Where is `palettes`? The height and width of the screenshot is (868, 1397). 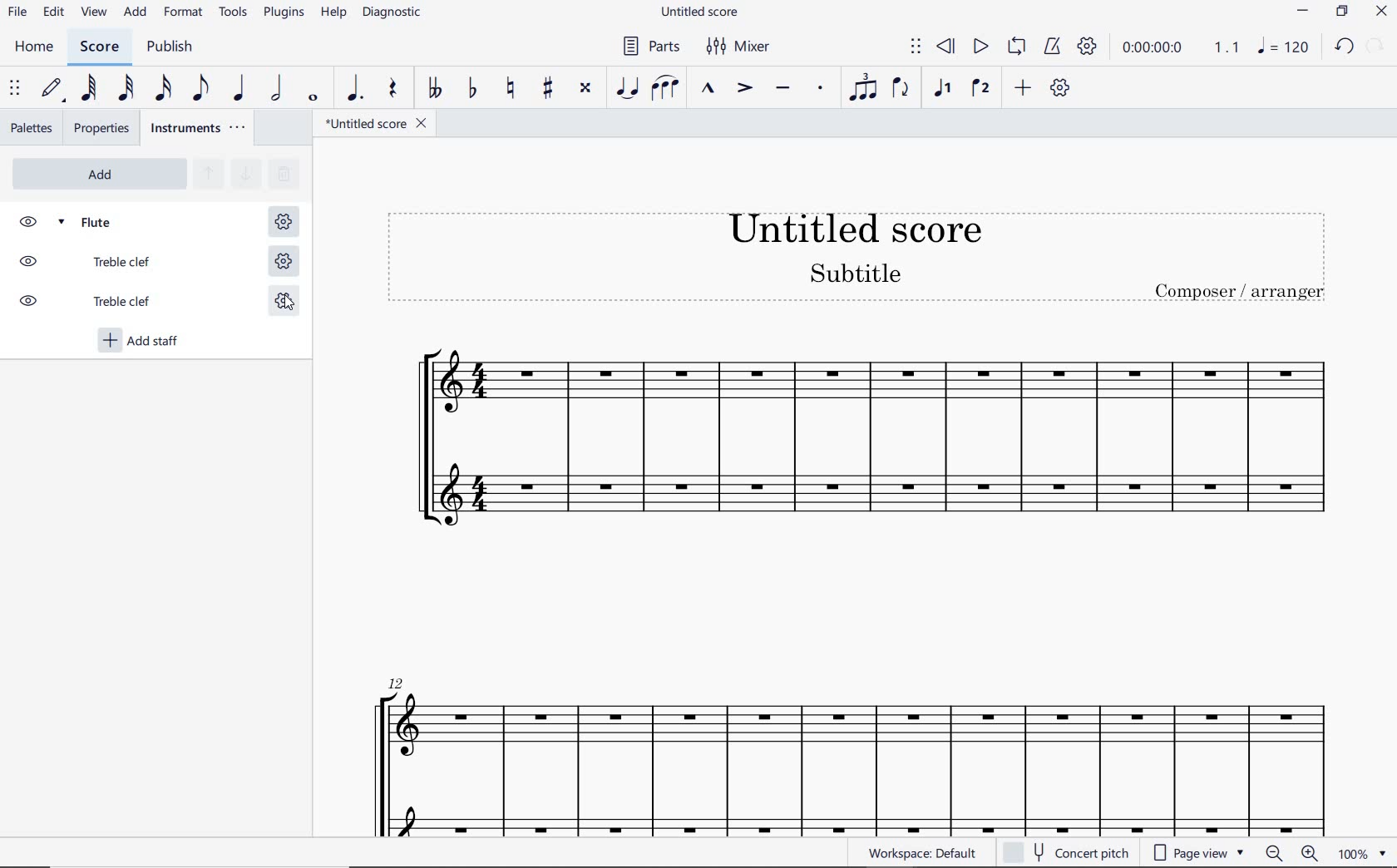
palettes is located at coordinates (32, 130).